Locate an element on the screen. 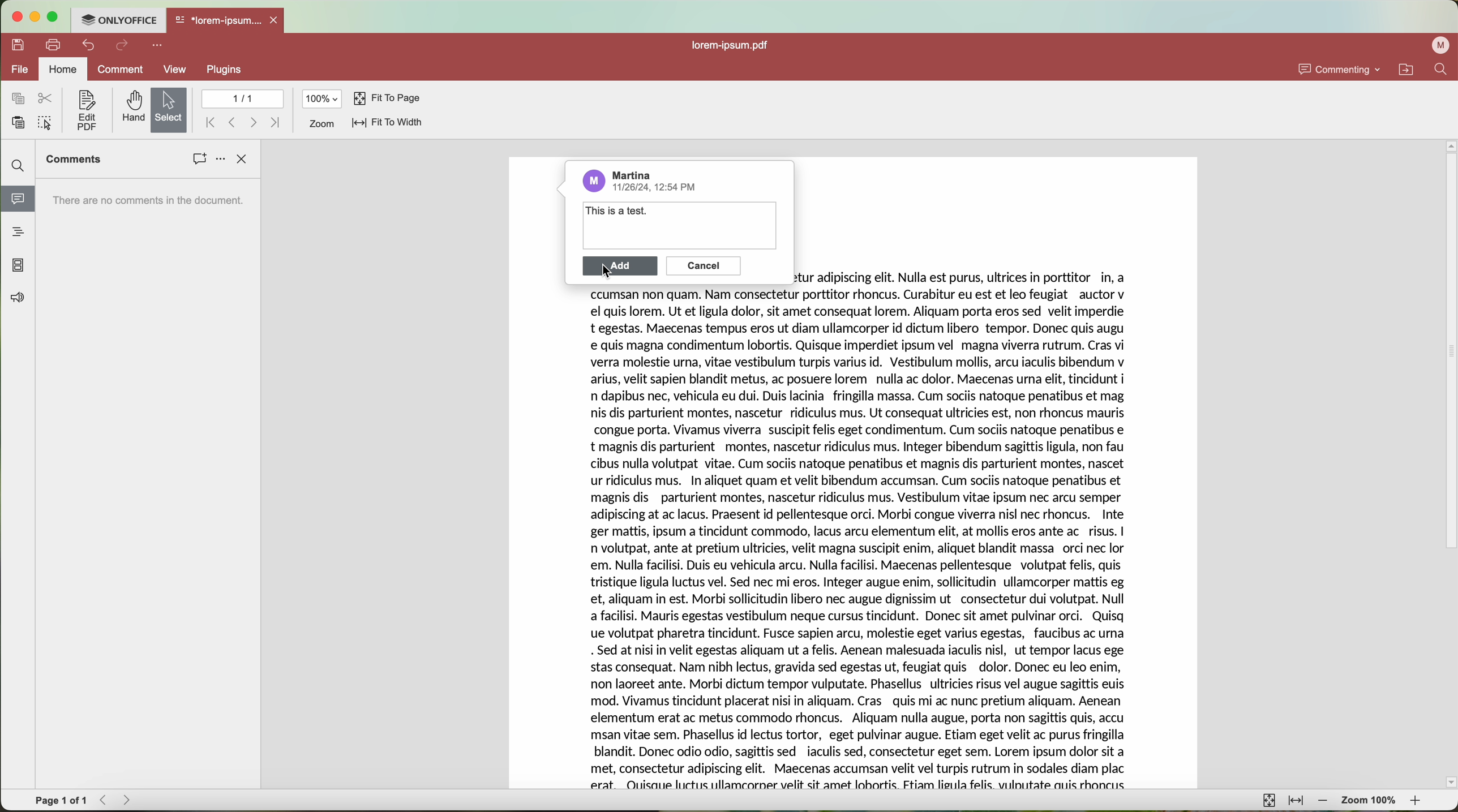  view is located at coordinates (177, 69).